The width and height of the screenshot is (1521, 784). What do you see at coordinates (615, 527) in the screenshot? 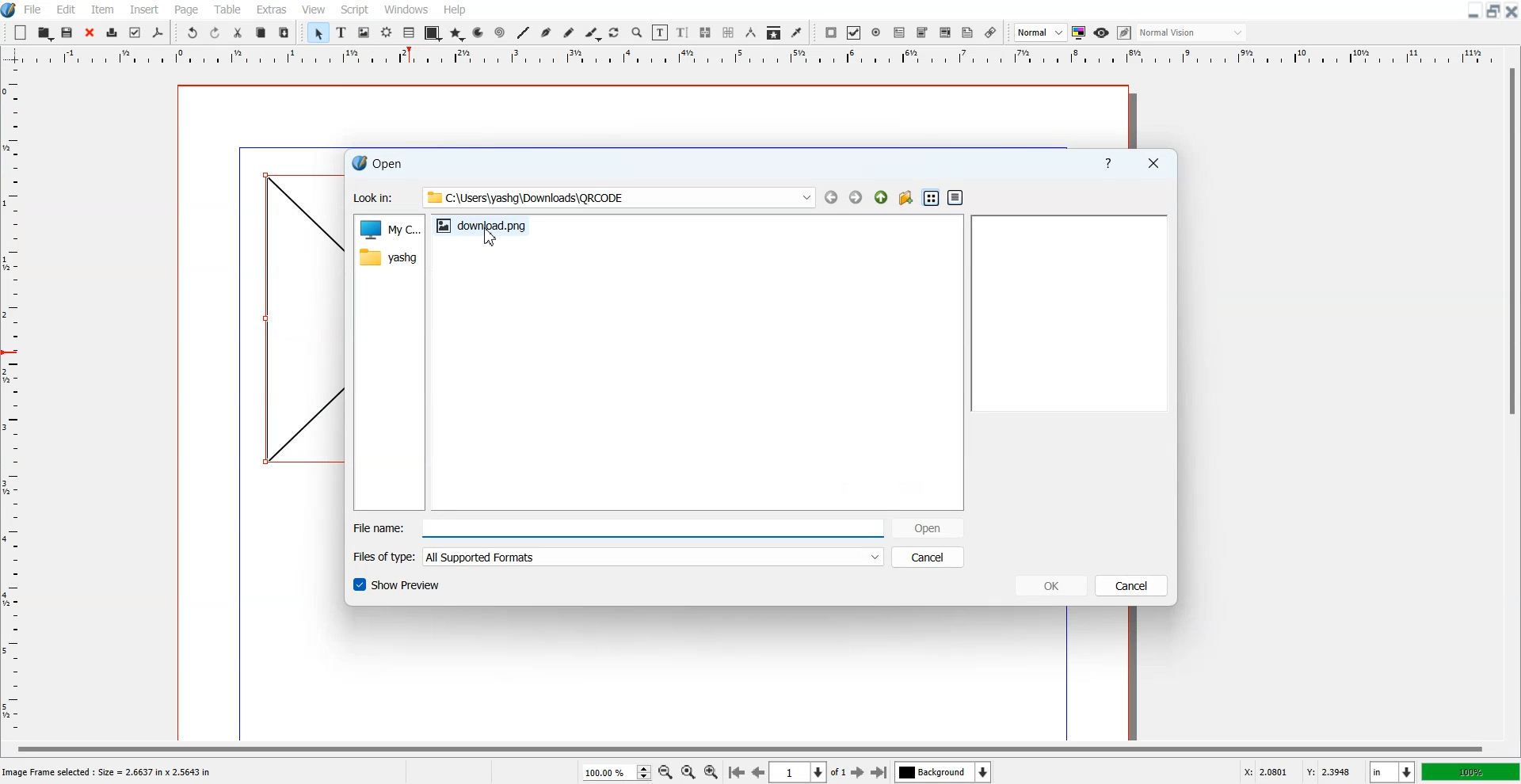
I see `Enter File Name` at bounding box center [615, 527].